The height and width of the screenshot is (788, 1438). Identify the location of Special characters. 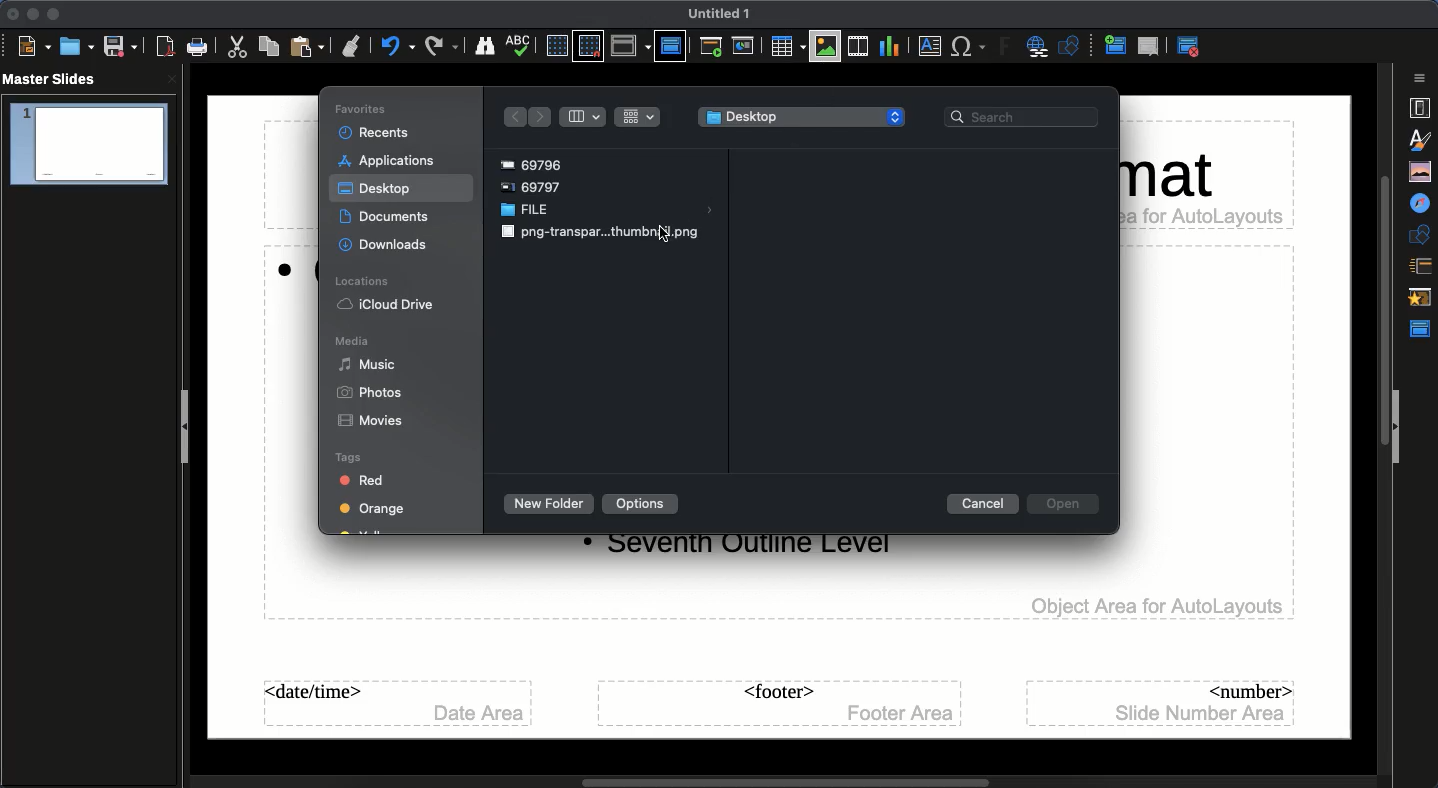
(969, 47).